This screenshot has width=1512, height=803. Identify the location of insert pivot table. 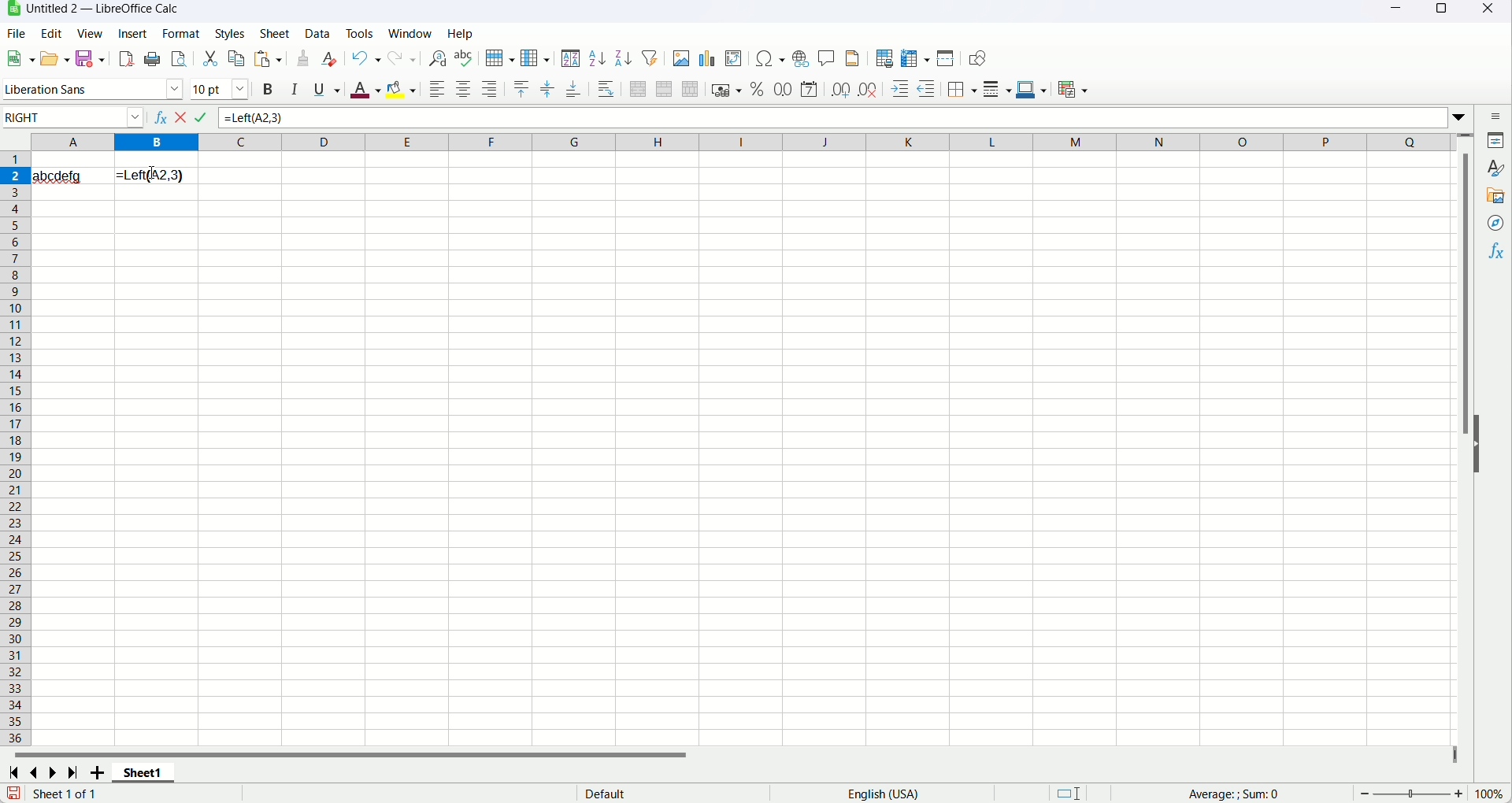
(732, 58).